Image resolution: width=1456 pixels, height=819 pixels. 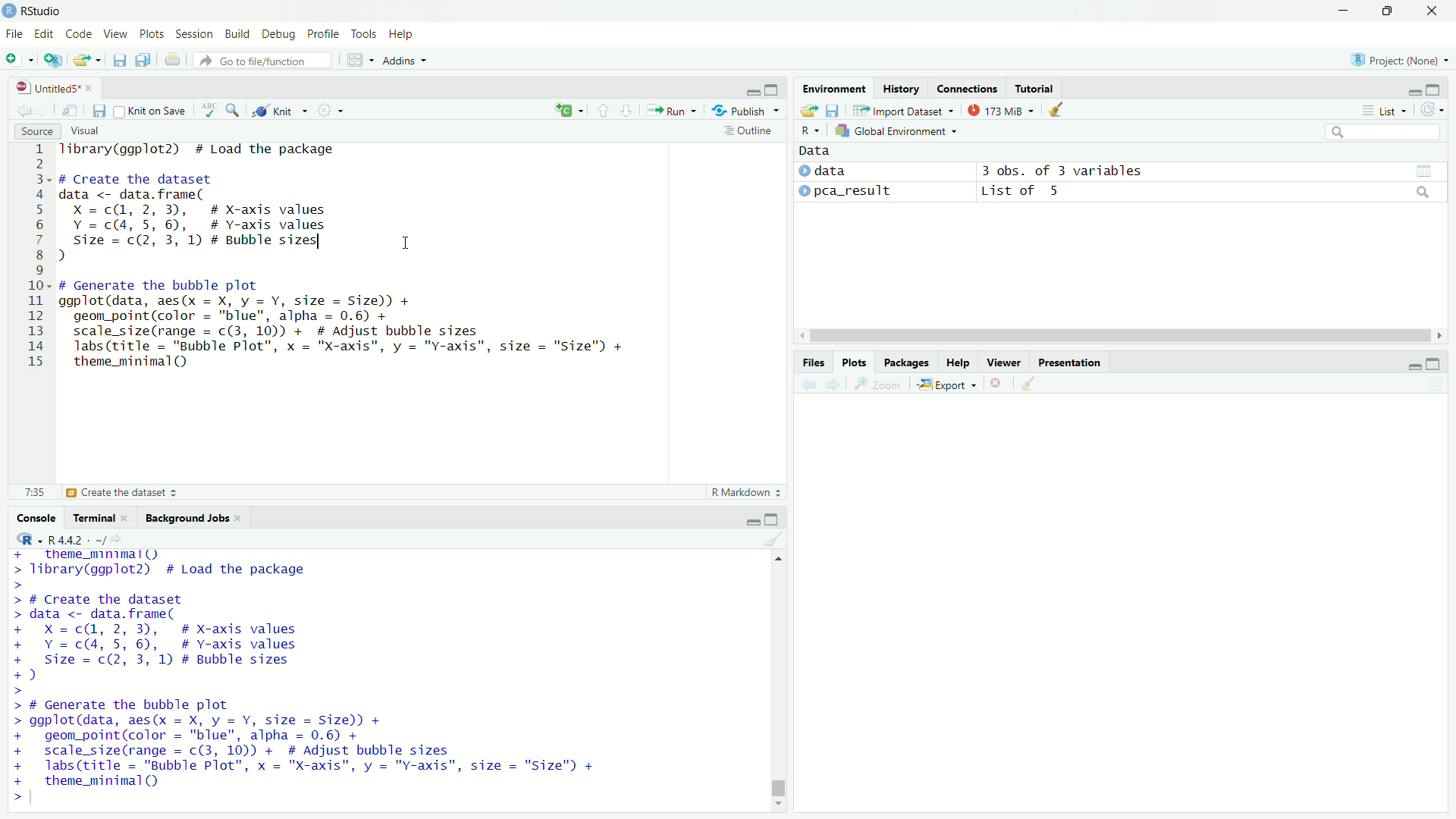 I want to click on save all documents, so click(x=146, y=58).